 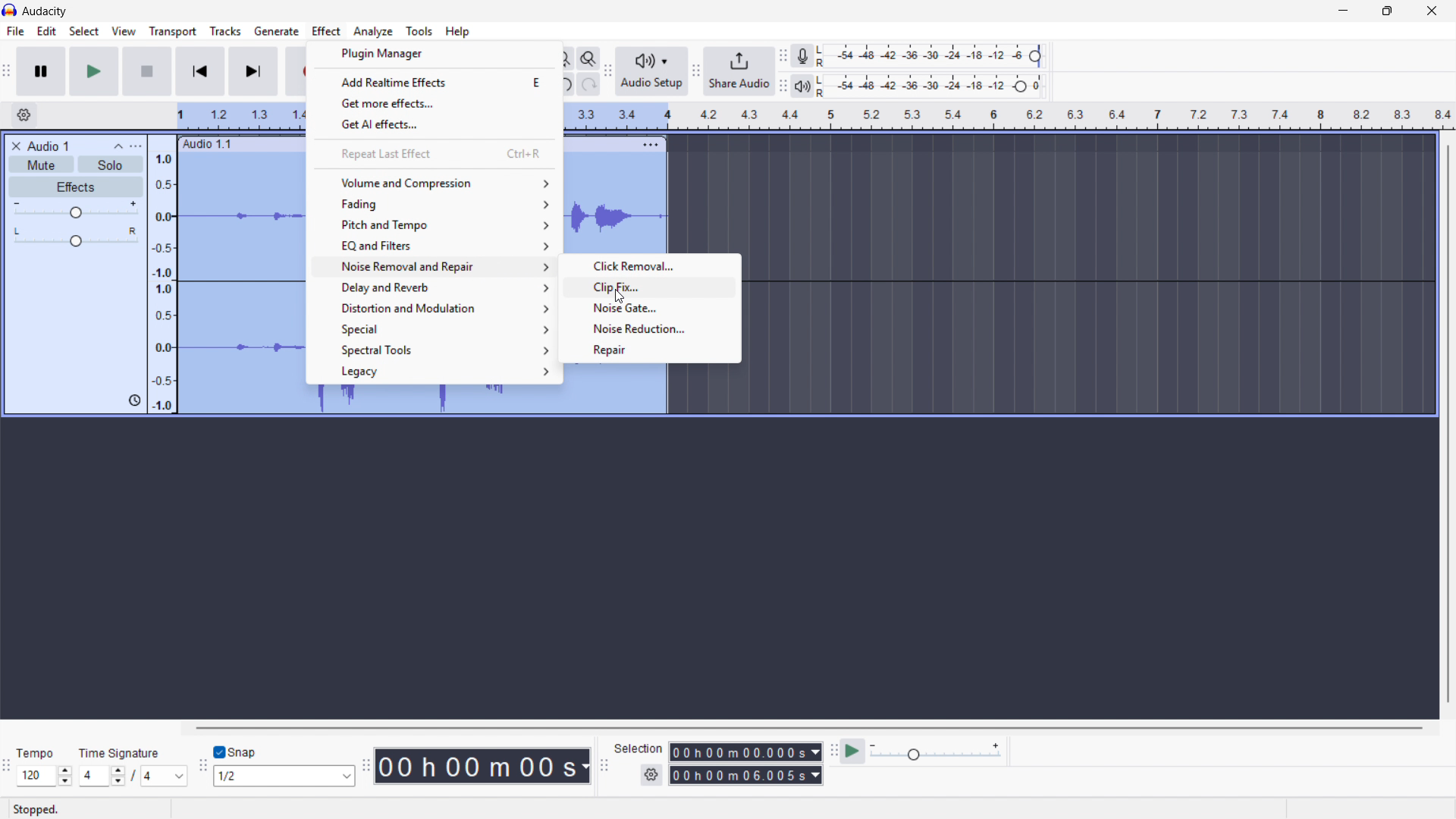 I want to click on Remove track , so click(x=17, y=146).